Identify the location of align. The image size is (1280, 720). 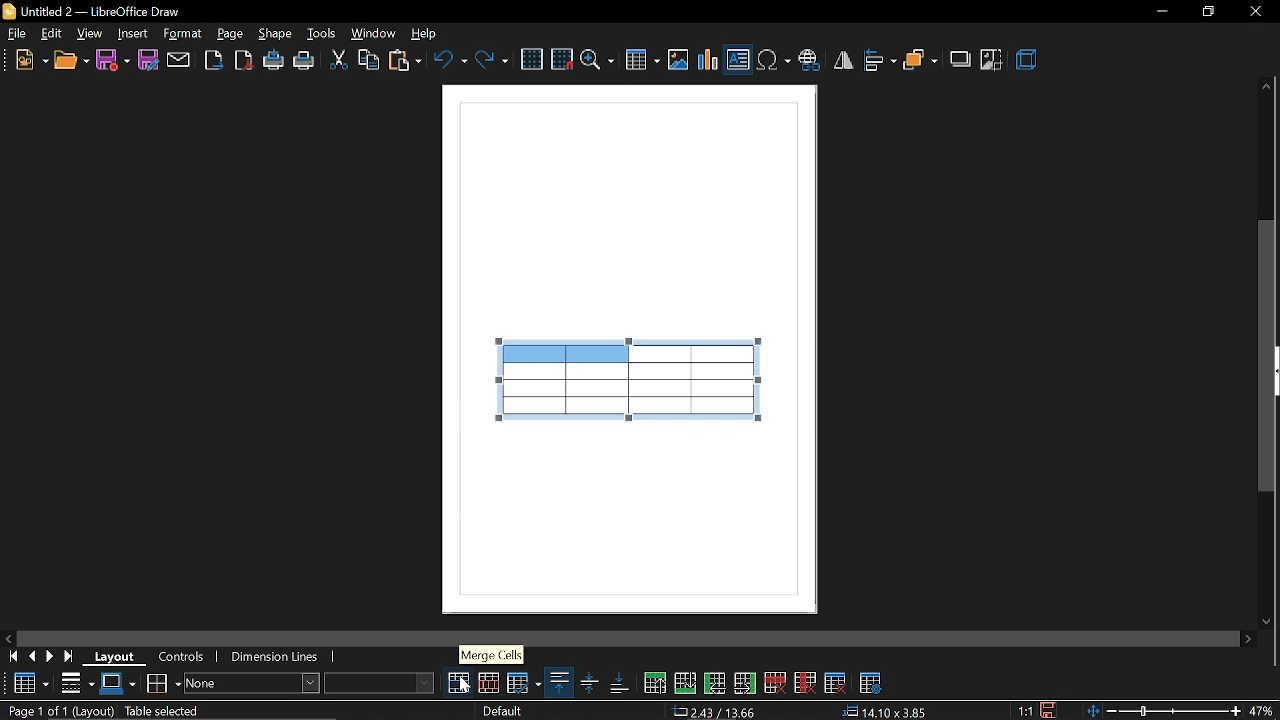
(879, 58).